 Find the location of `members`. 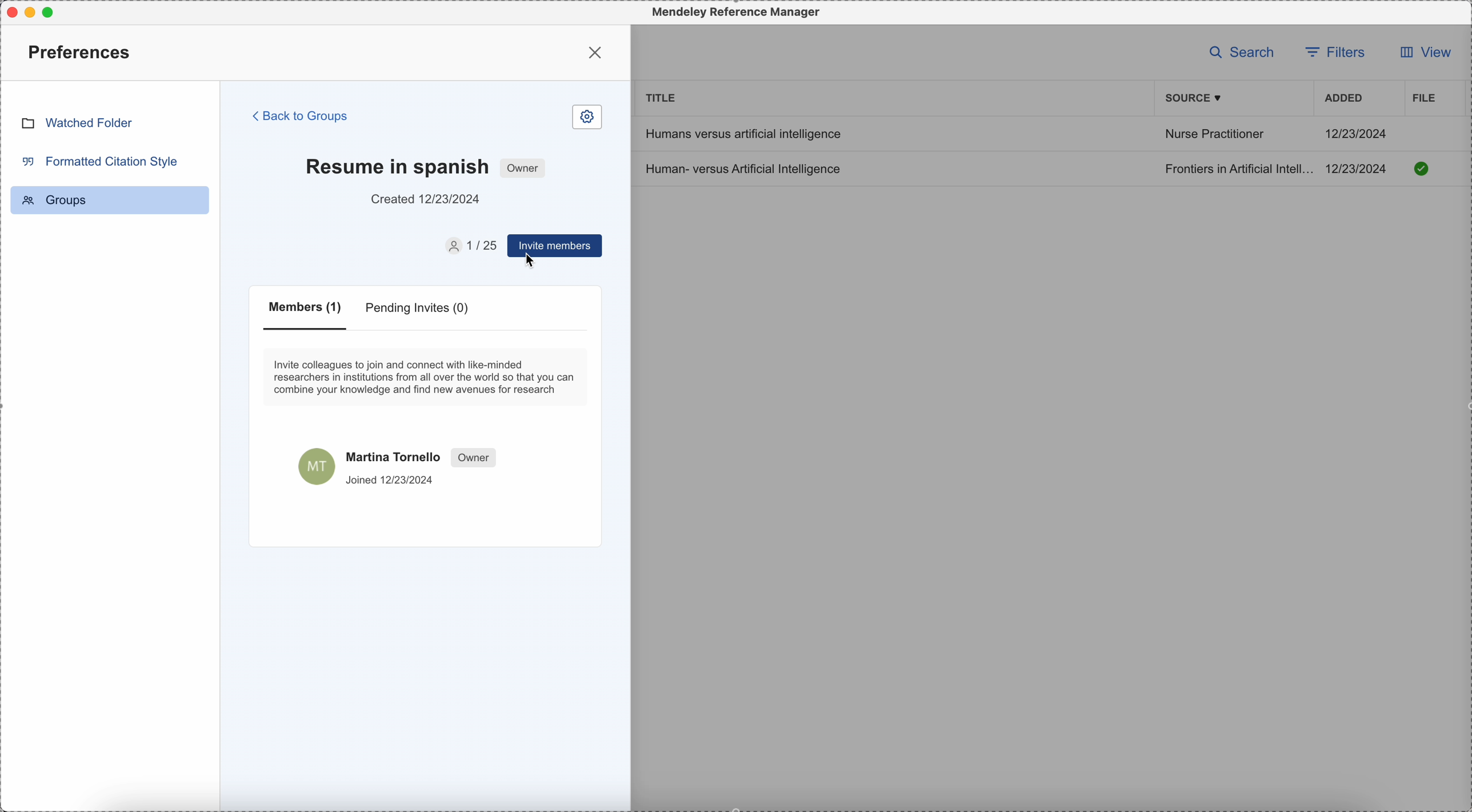

members is located at coordinates (307, 315).